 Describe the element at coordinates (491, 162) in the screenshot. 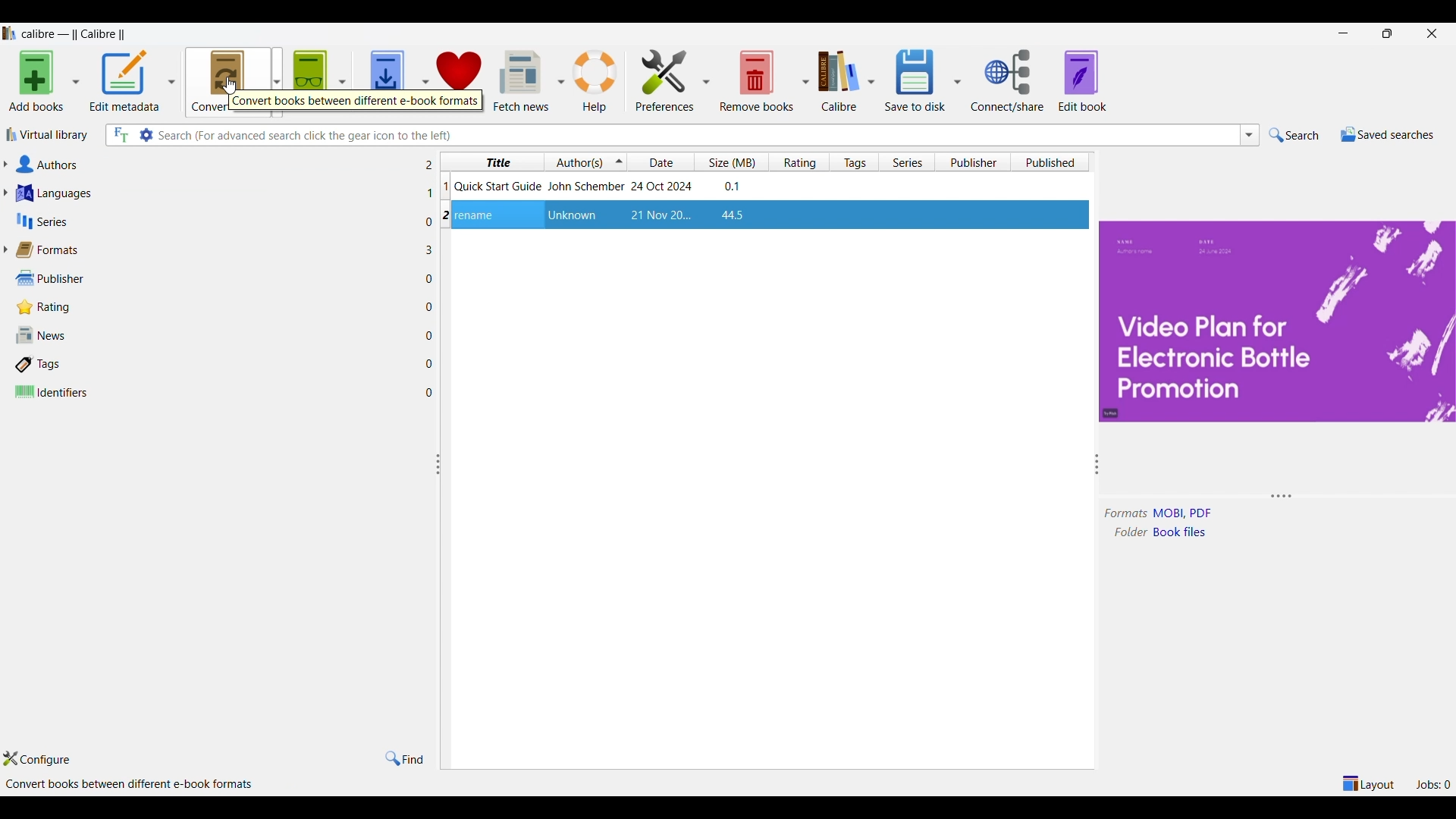

I see `Title column` at that location.